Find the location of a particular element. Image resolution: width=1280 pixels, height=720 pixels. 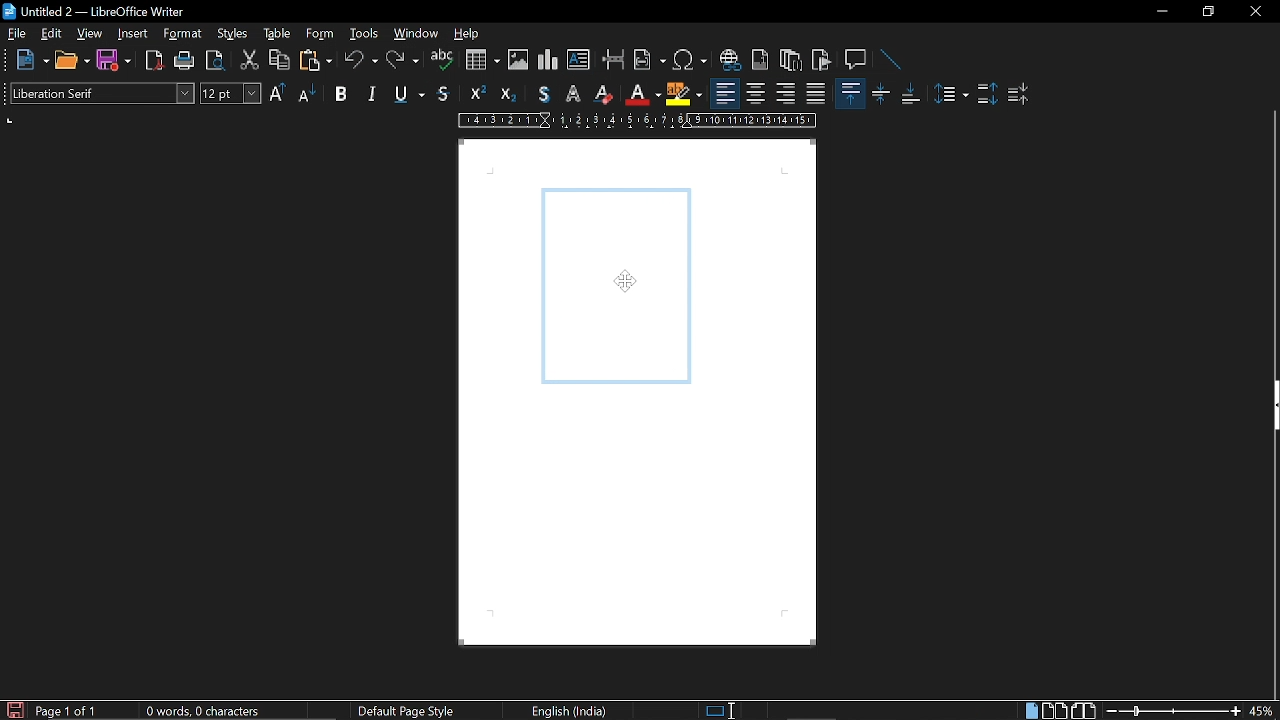

form is located at coordinates (321, 35).